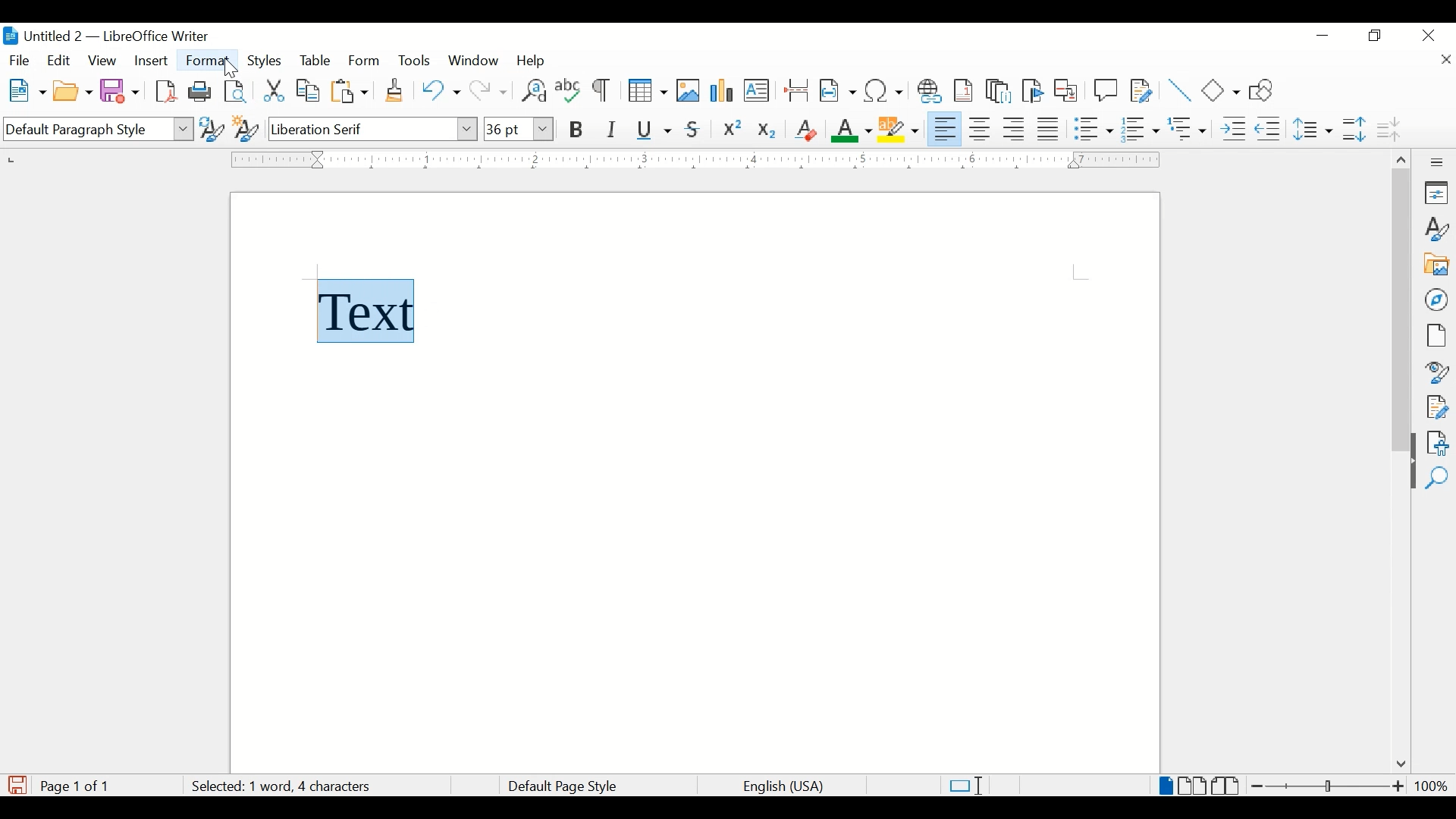 Image resolution: width=1456 pixels, height=819 pixels. Describe the element at coordinates (1106, 90) in the screenshot. I see `new comment` at that location.